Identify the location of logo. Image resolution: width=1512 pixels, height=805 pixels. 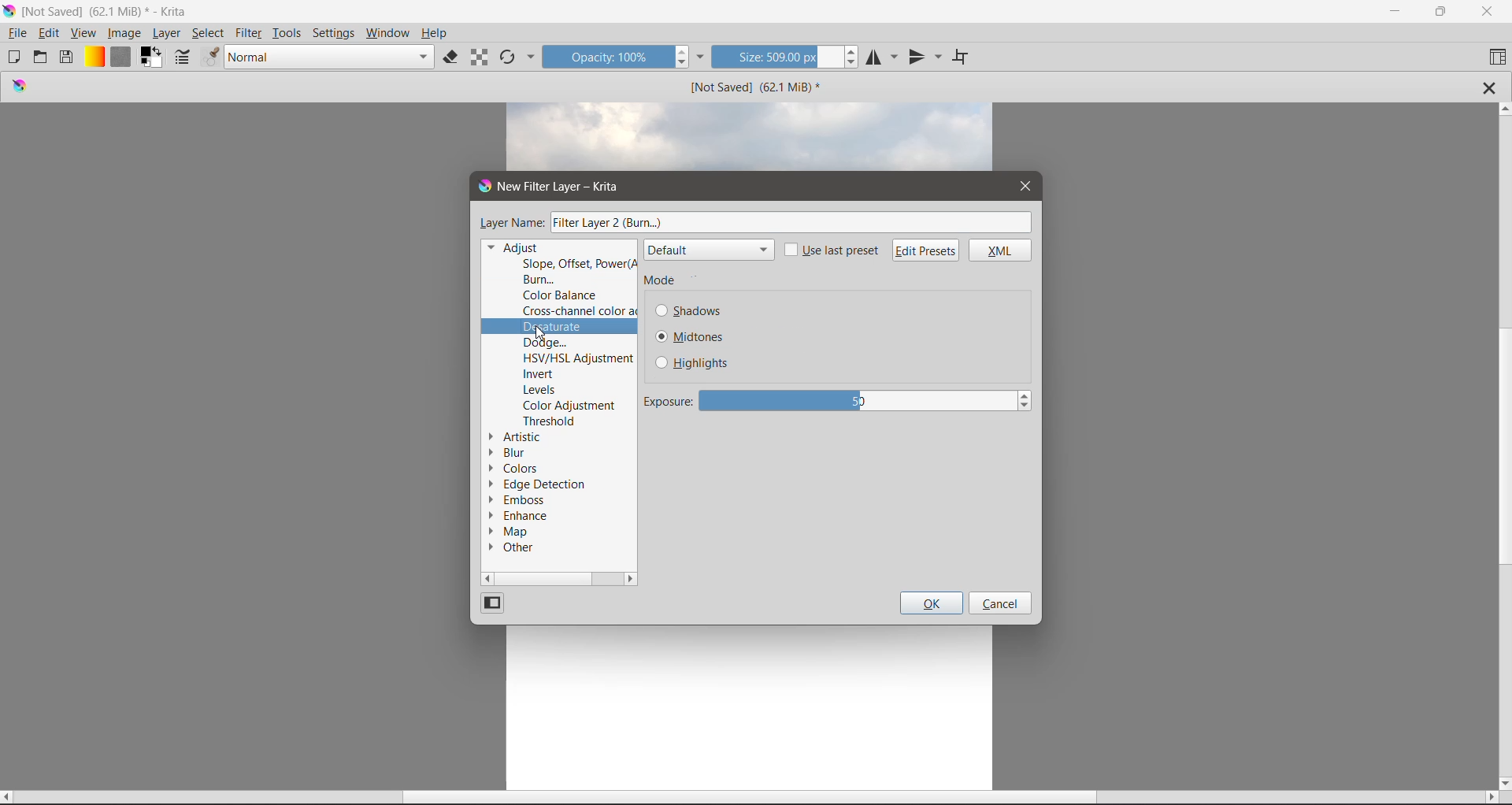
(20, 88).